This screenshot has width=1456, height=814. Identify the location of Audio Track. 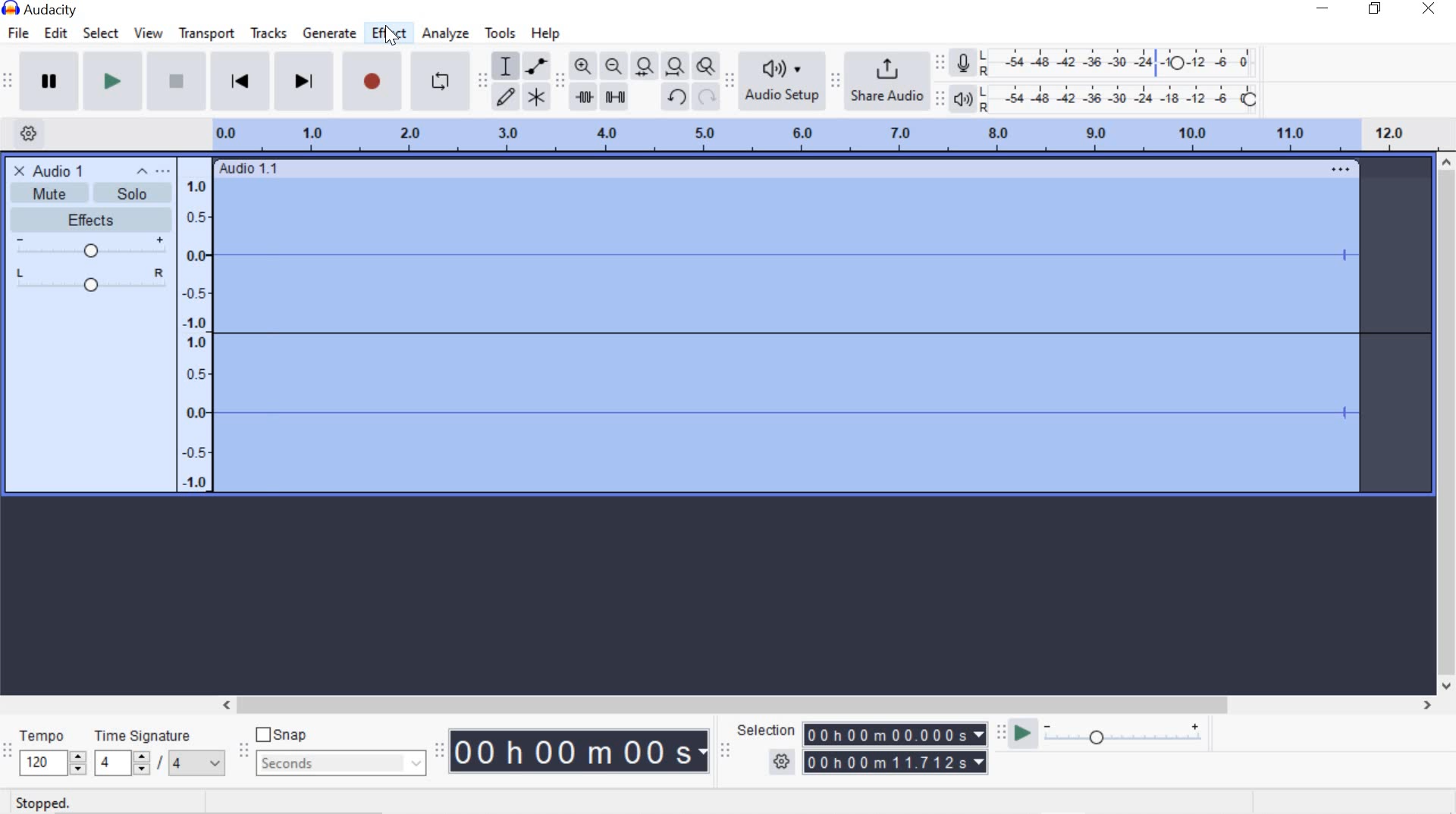
(824, 336).